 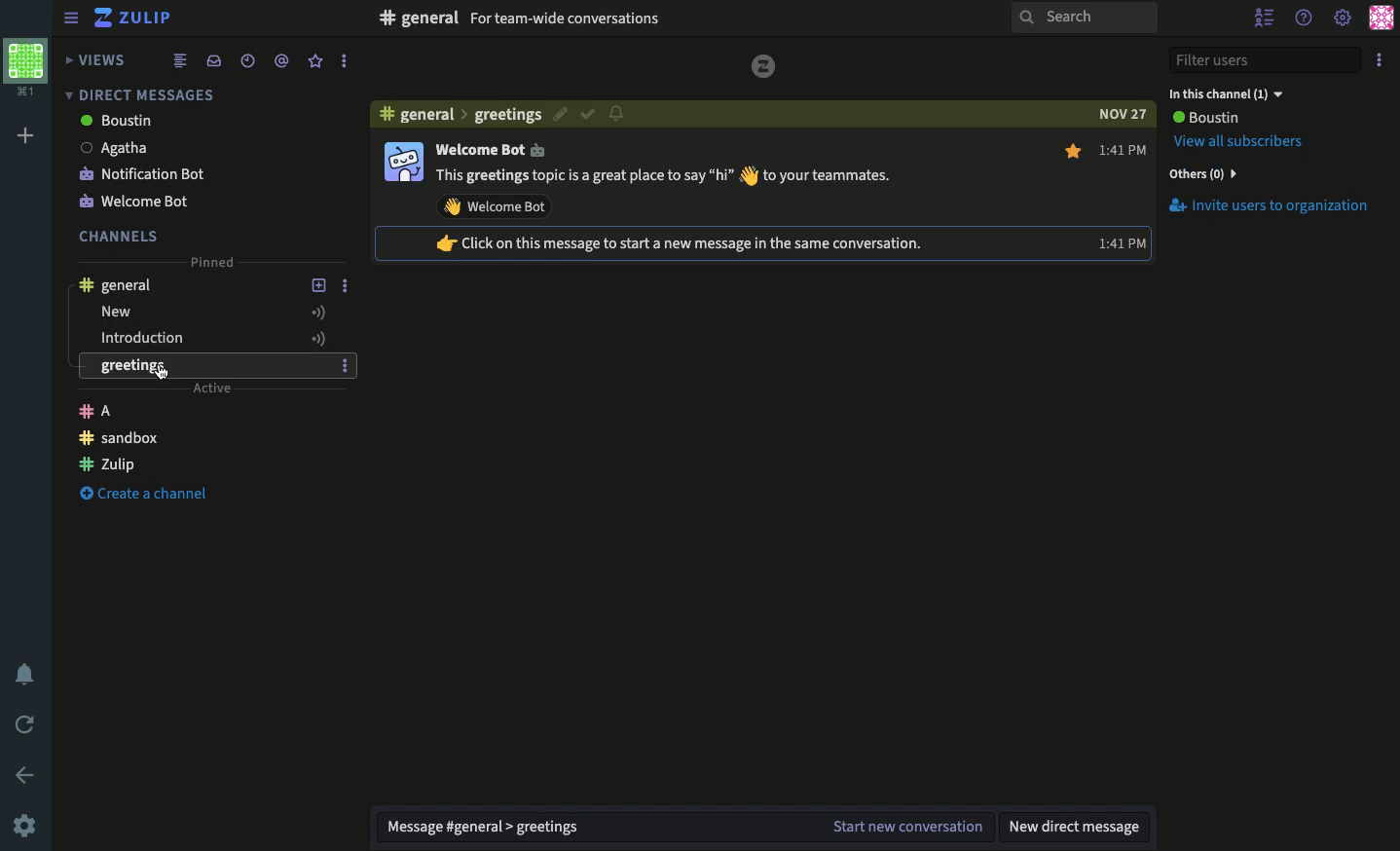 What do you see at coordinates (1237, 141) in the screenshot?
I see `View all subscribers` at bounding box center [1237, 141].